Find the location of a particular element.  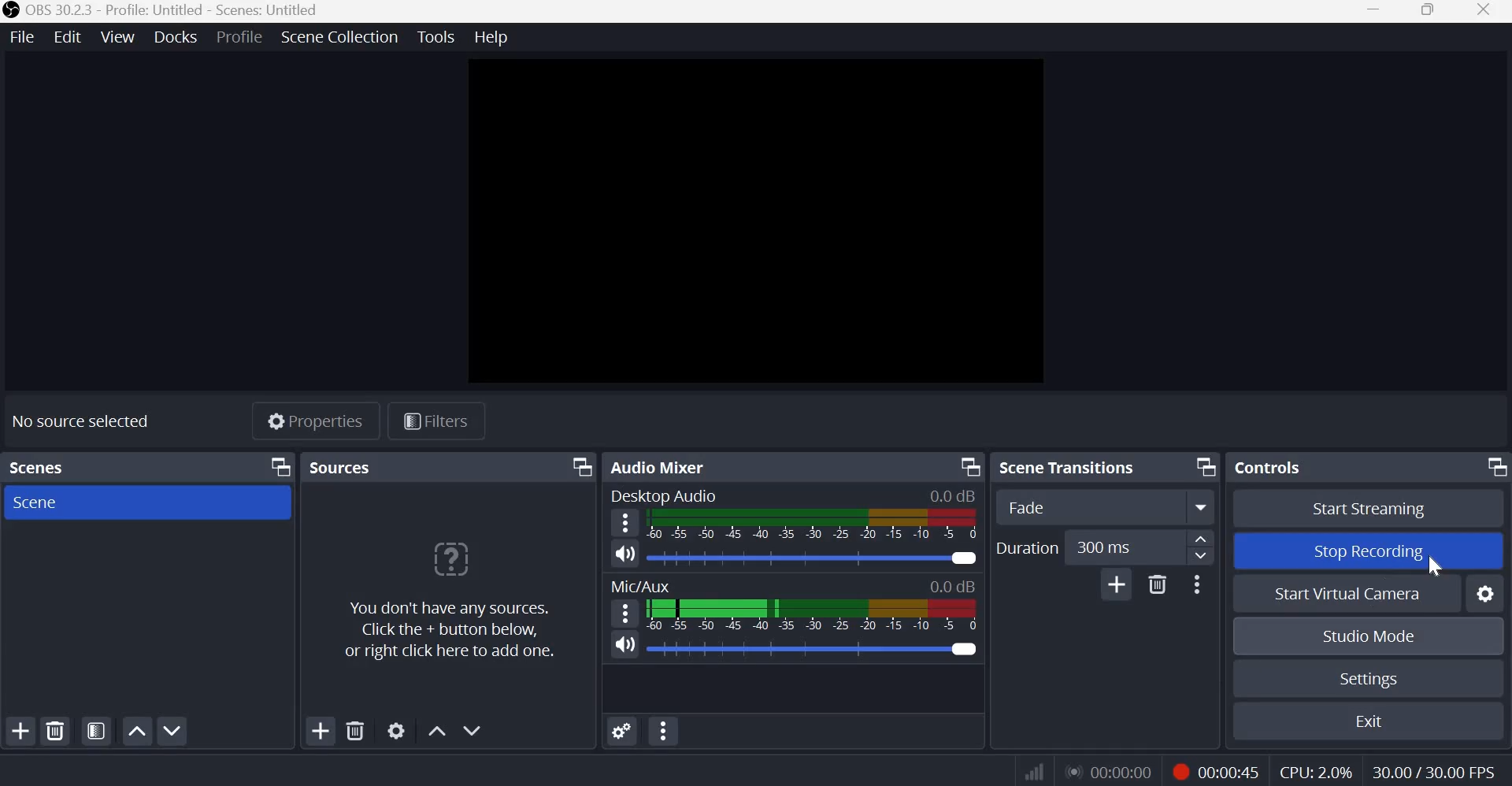

Move source(s) up is located at coordinates (439, 732).